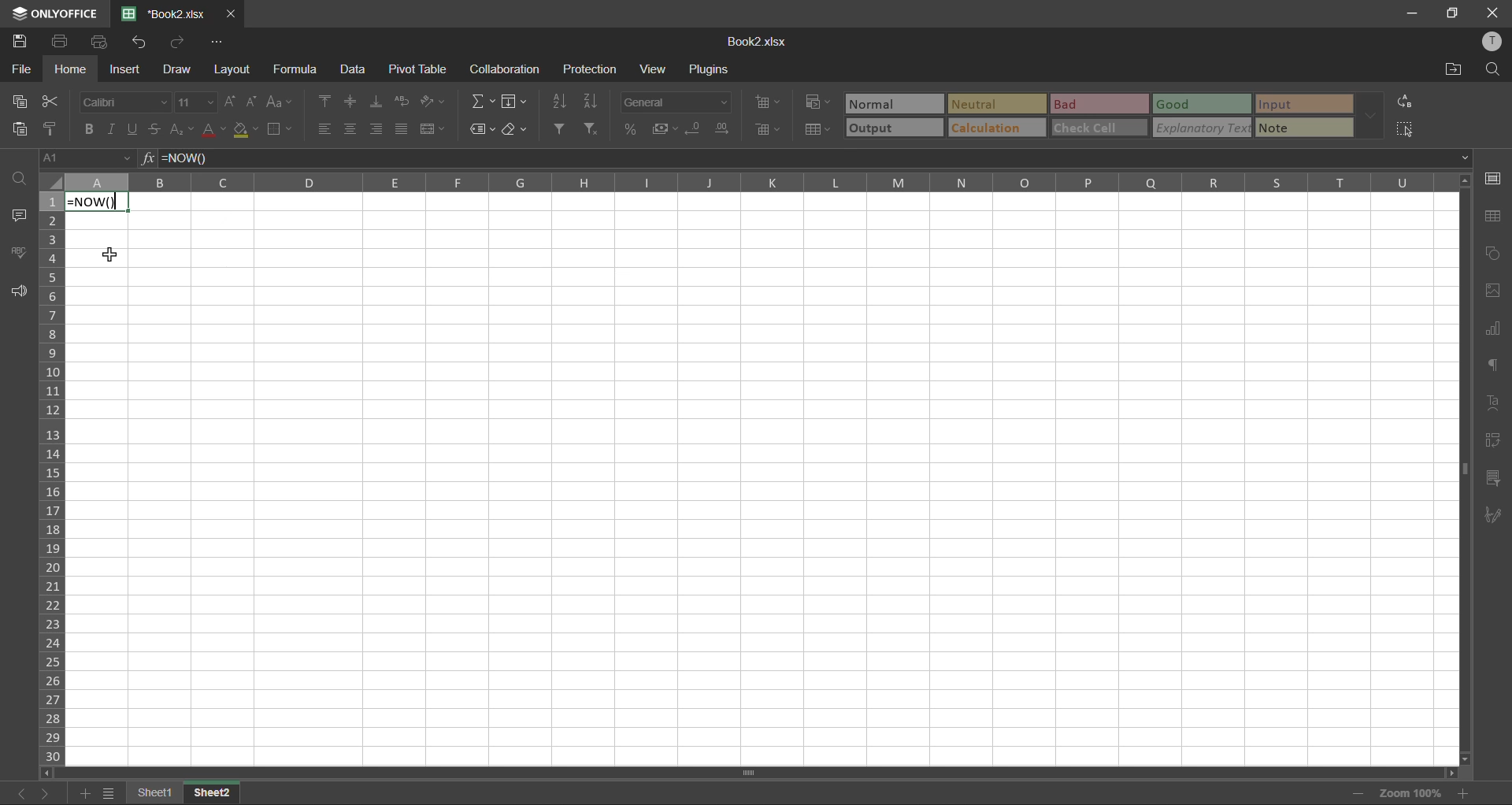 The width and height of the screenshot is (1512, 805). Describe the element at coordinates (277, 102) in the screenshot. I see `change case` at that location.